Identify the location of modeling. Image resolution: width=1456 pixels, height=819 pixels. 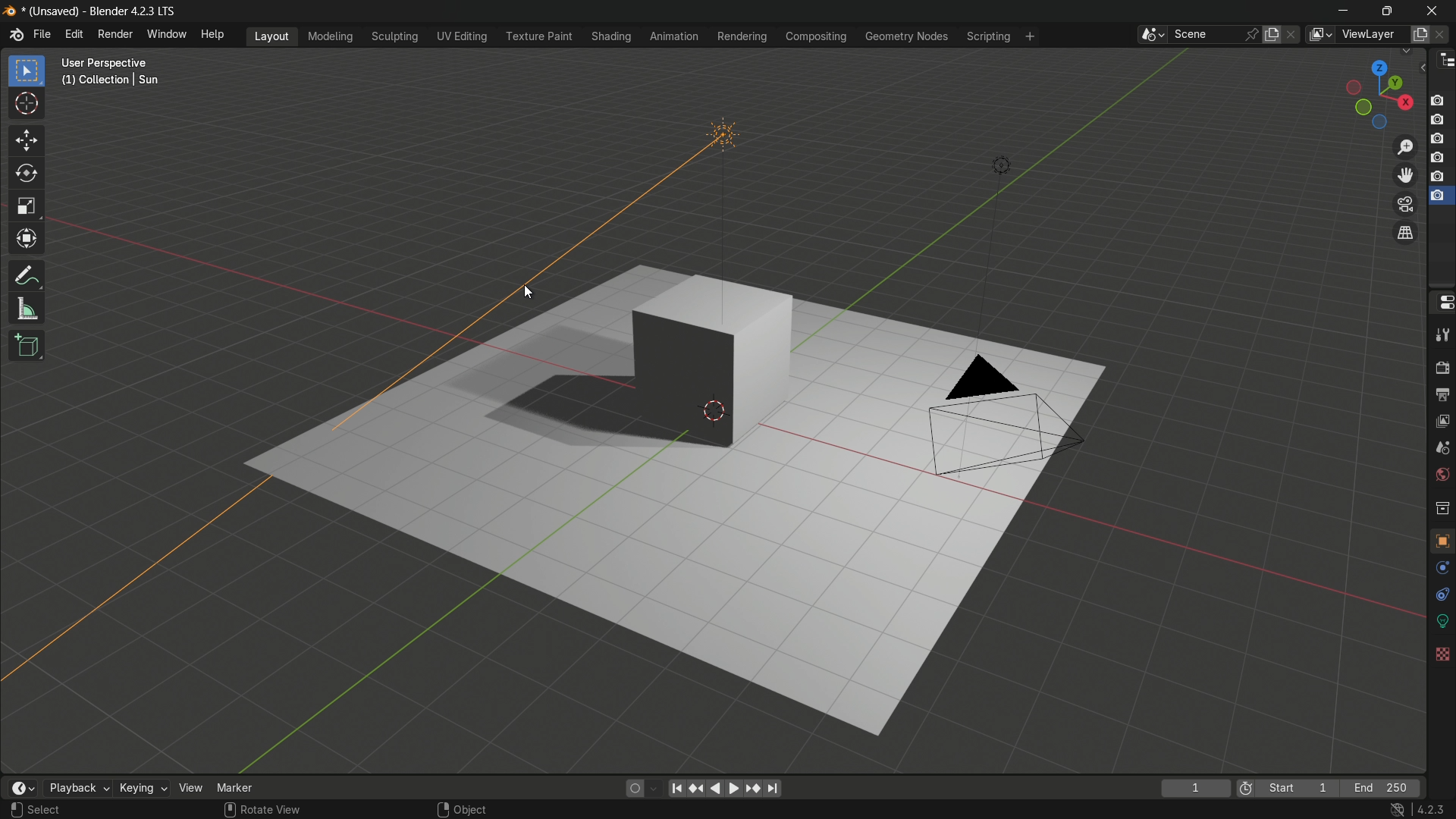
(329, 35).